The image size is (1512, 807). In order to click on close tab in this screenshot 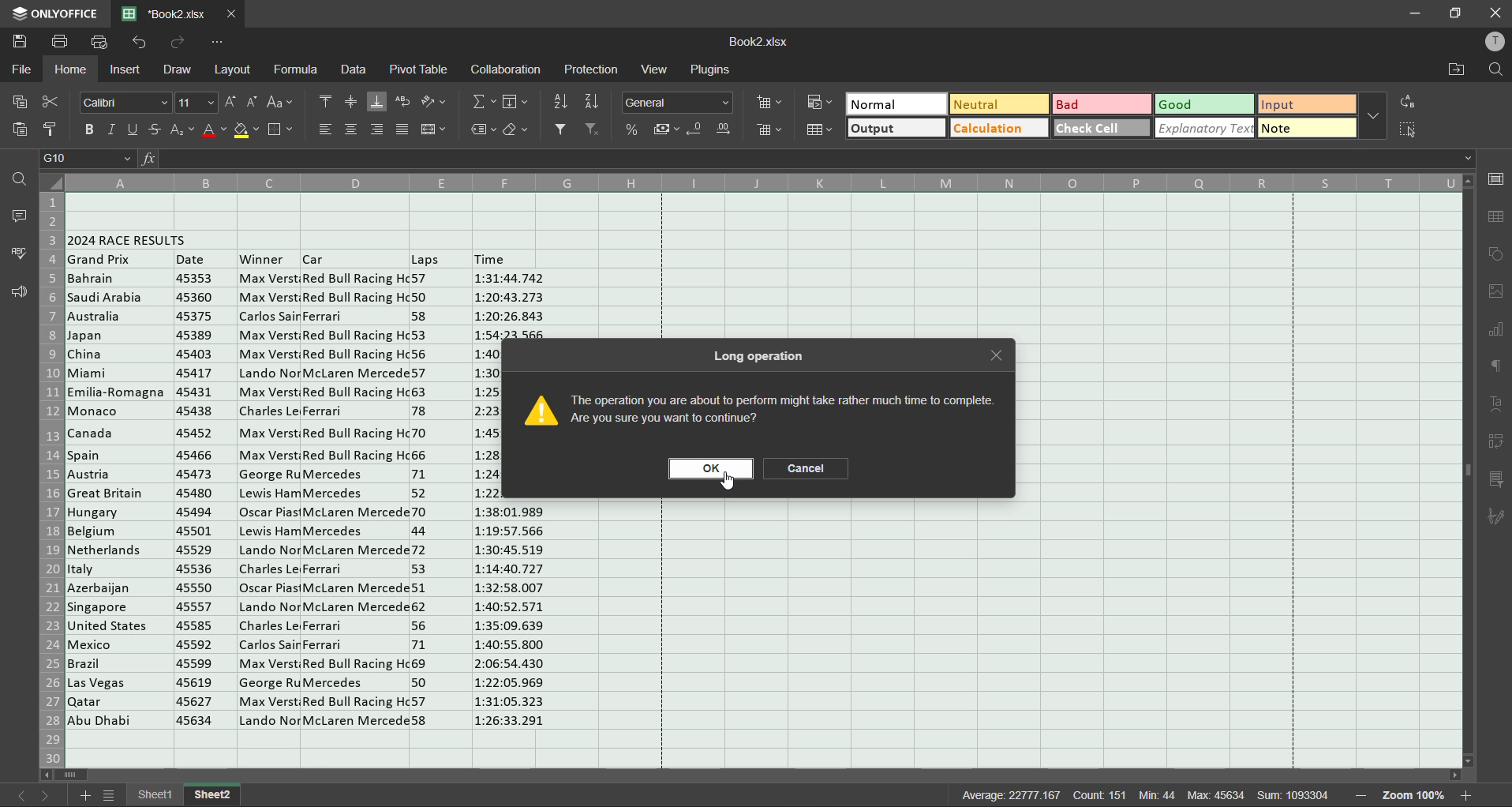, I will do `click(996, 357)`.